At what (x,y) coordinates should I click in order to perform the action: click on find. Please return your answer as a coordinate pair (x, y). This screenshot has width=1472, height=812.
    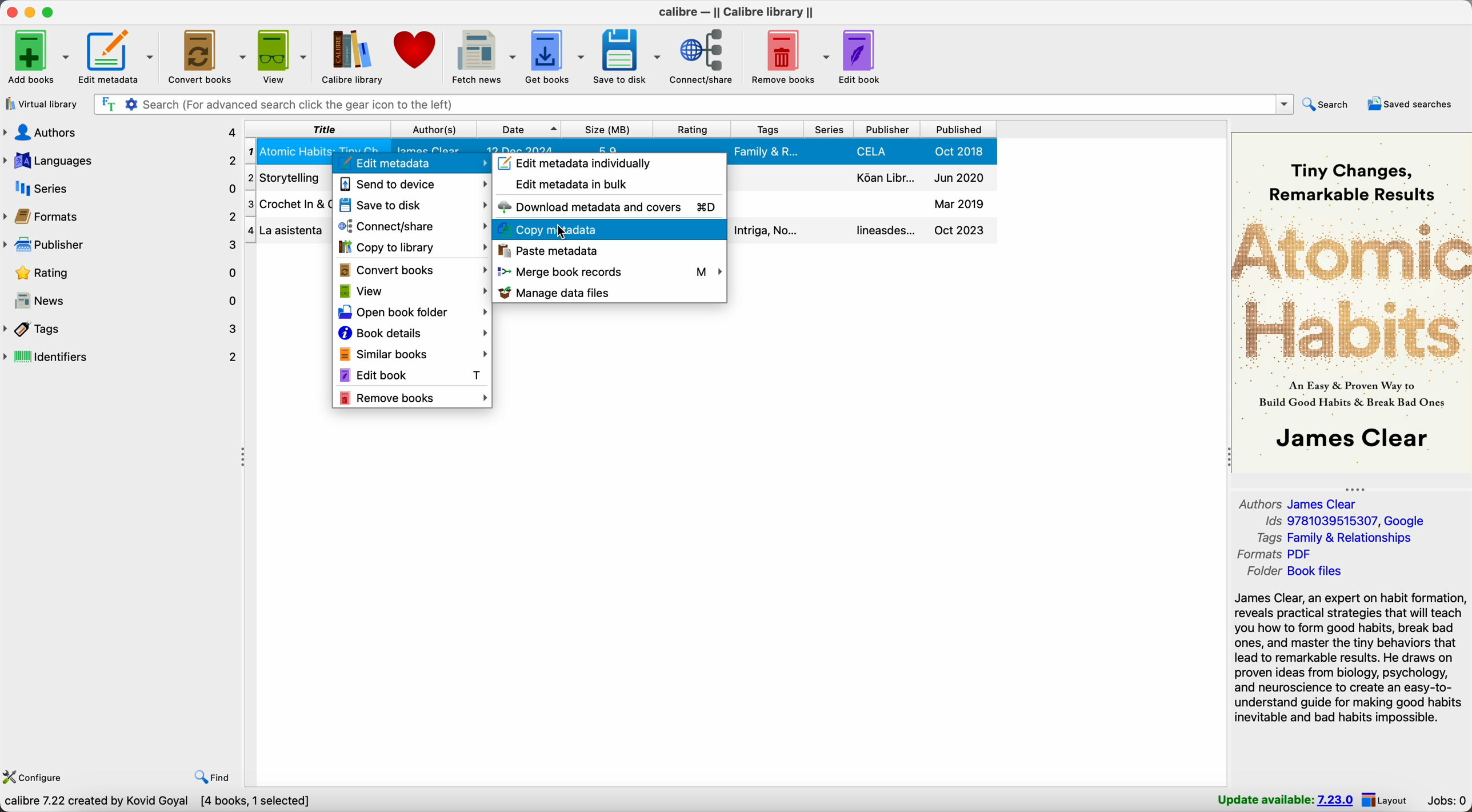
    Looking at the image, I should click on (209, 776).